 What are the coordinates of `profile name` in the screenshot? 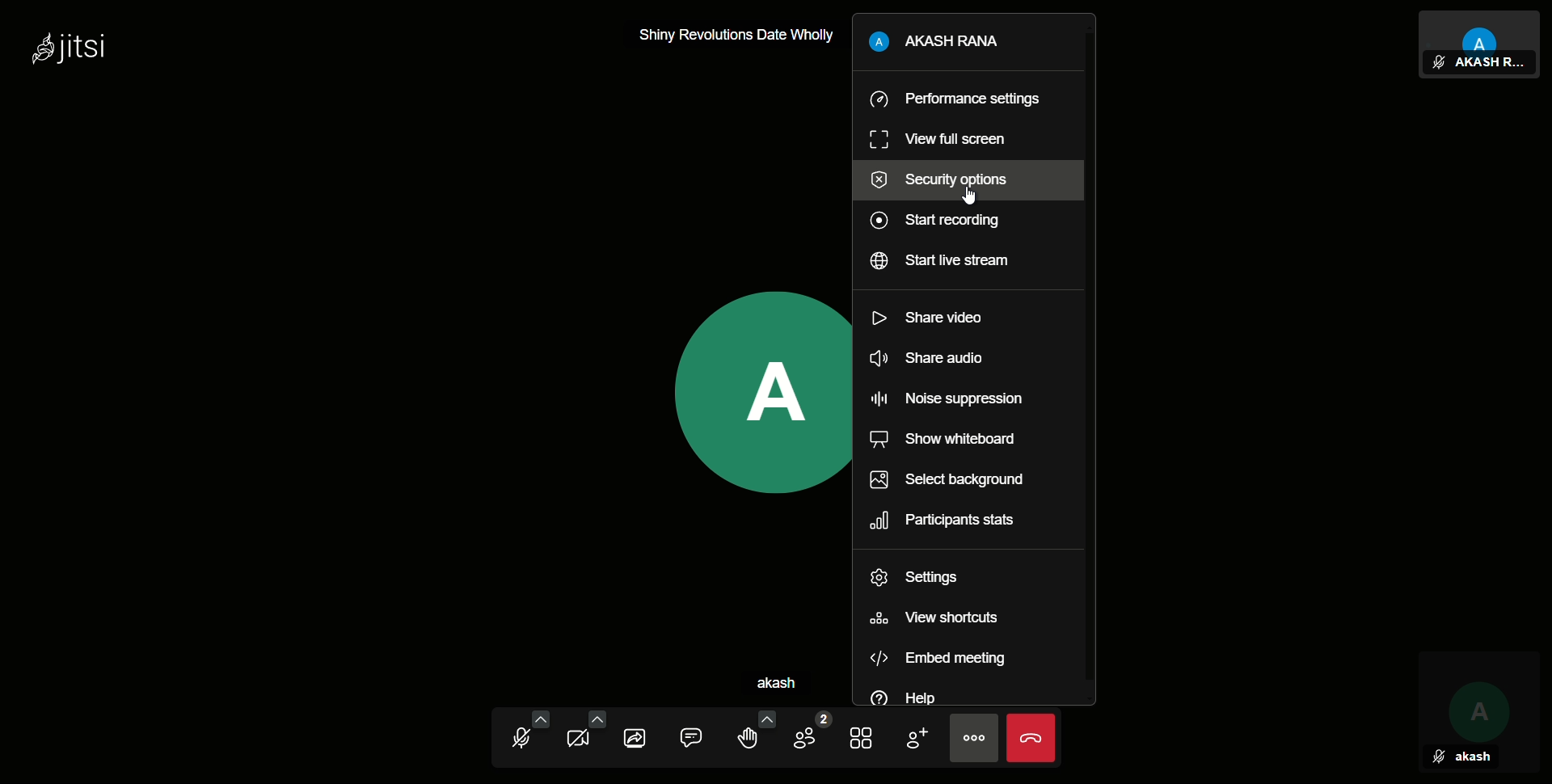 It's located at (935, 44).